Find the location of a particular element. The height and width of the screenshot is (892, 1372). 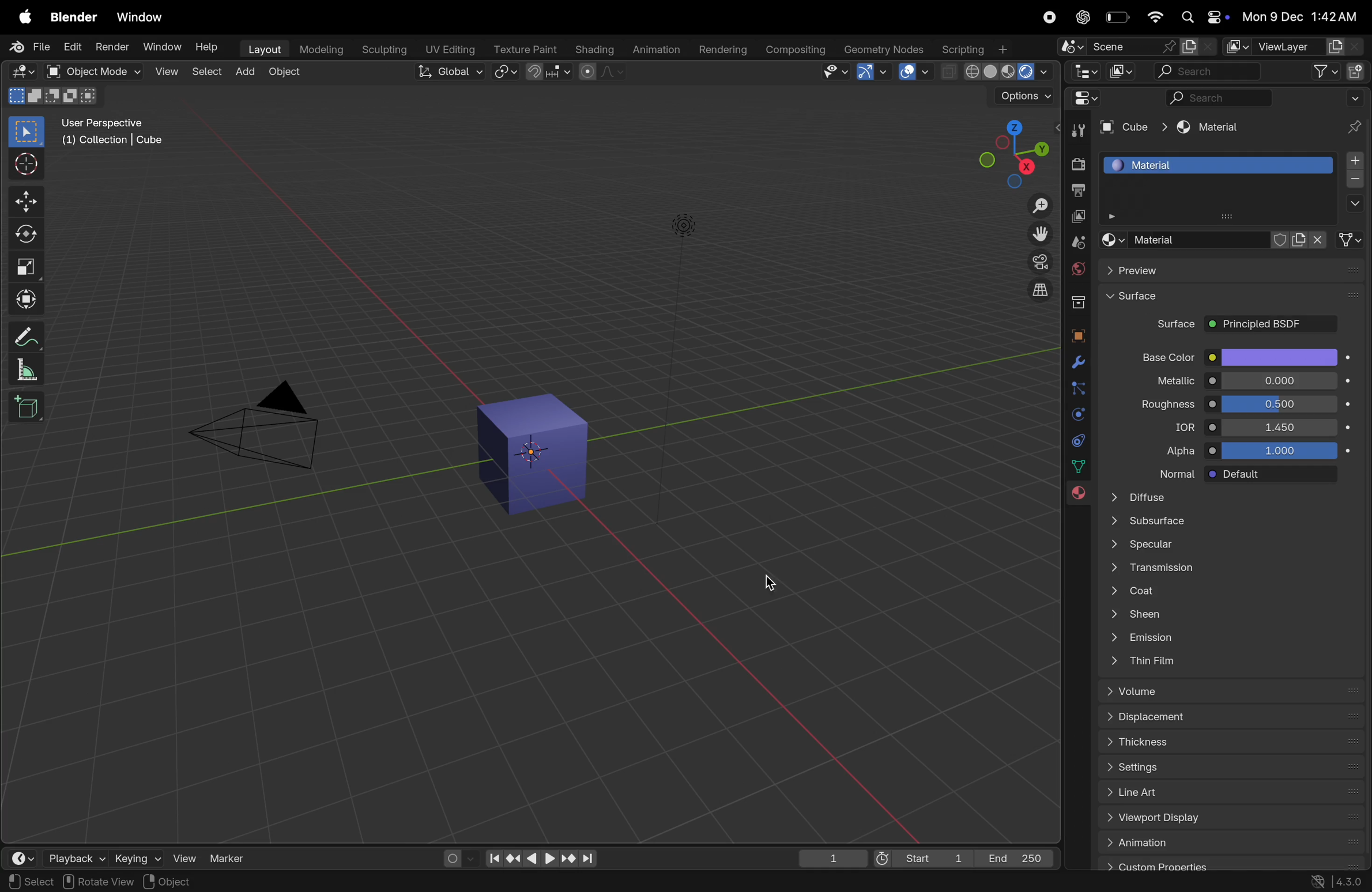

settings is located at coordinates (1227, 765).